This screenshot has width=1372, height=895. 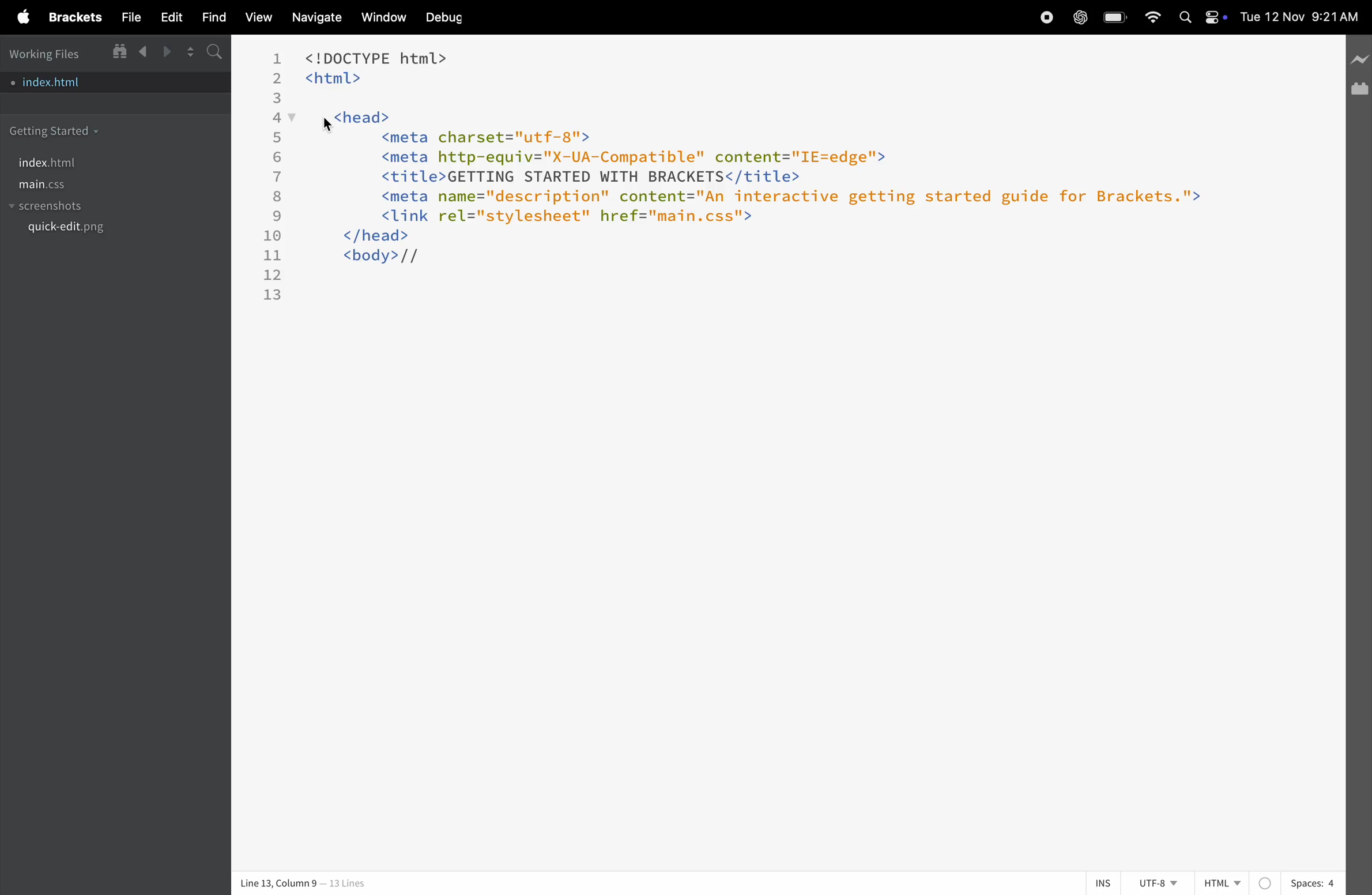 What do you see at coordinates (87, 231) in the screenshot?
I see `quickedit.png` at bounding box center [87, 231].